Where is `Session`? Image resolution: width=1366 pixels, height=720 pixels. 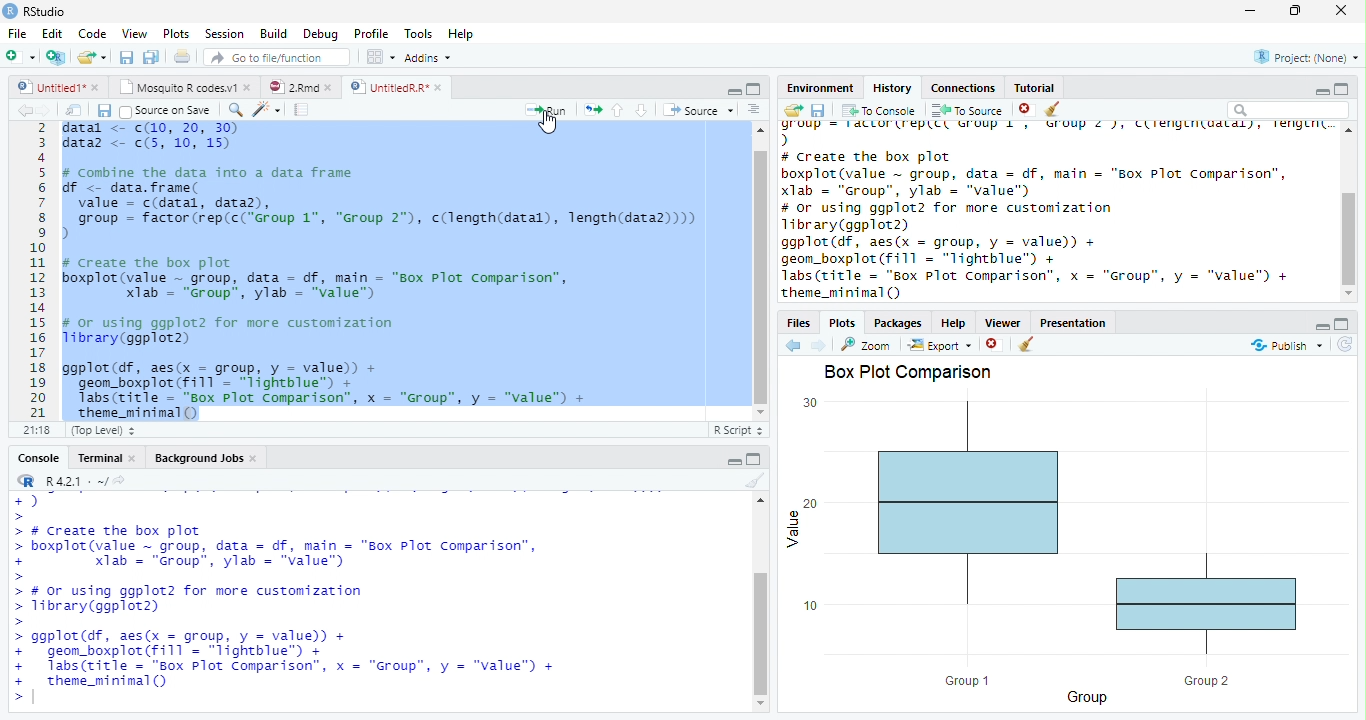
Session is located at coordinates (222, 33).